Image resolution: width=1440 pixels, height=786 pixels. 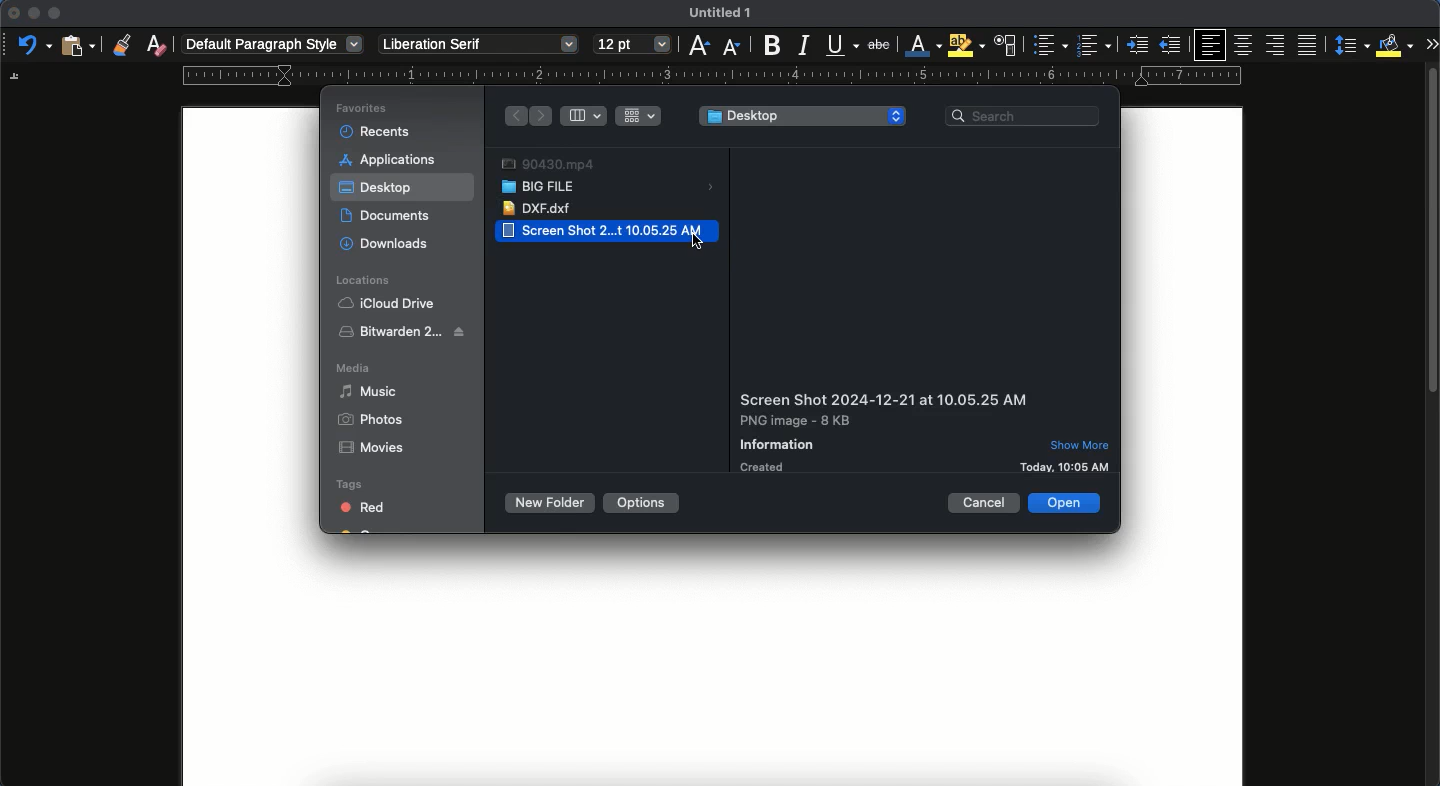 What do you see at coordinates (549, 504) in the screenshot?
I see `new folder` at bounding box center [549, 504].